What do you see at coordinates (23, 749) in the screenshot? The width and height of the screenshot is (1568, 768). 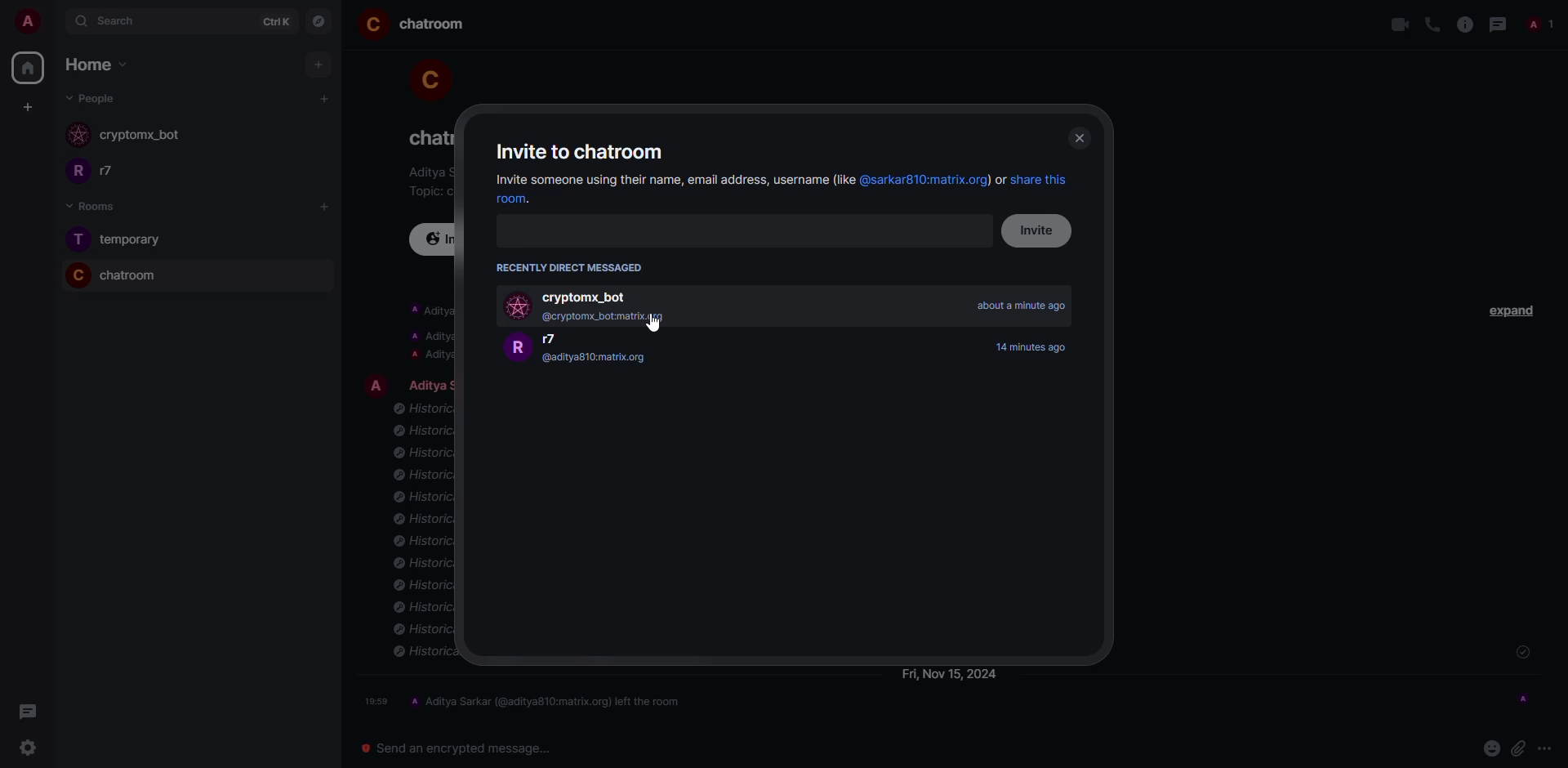 I see `settings` at bounding box center [23, 749].